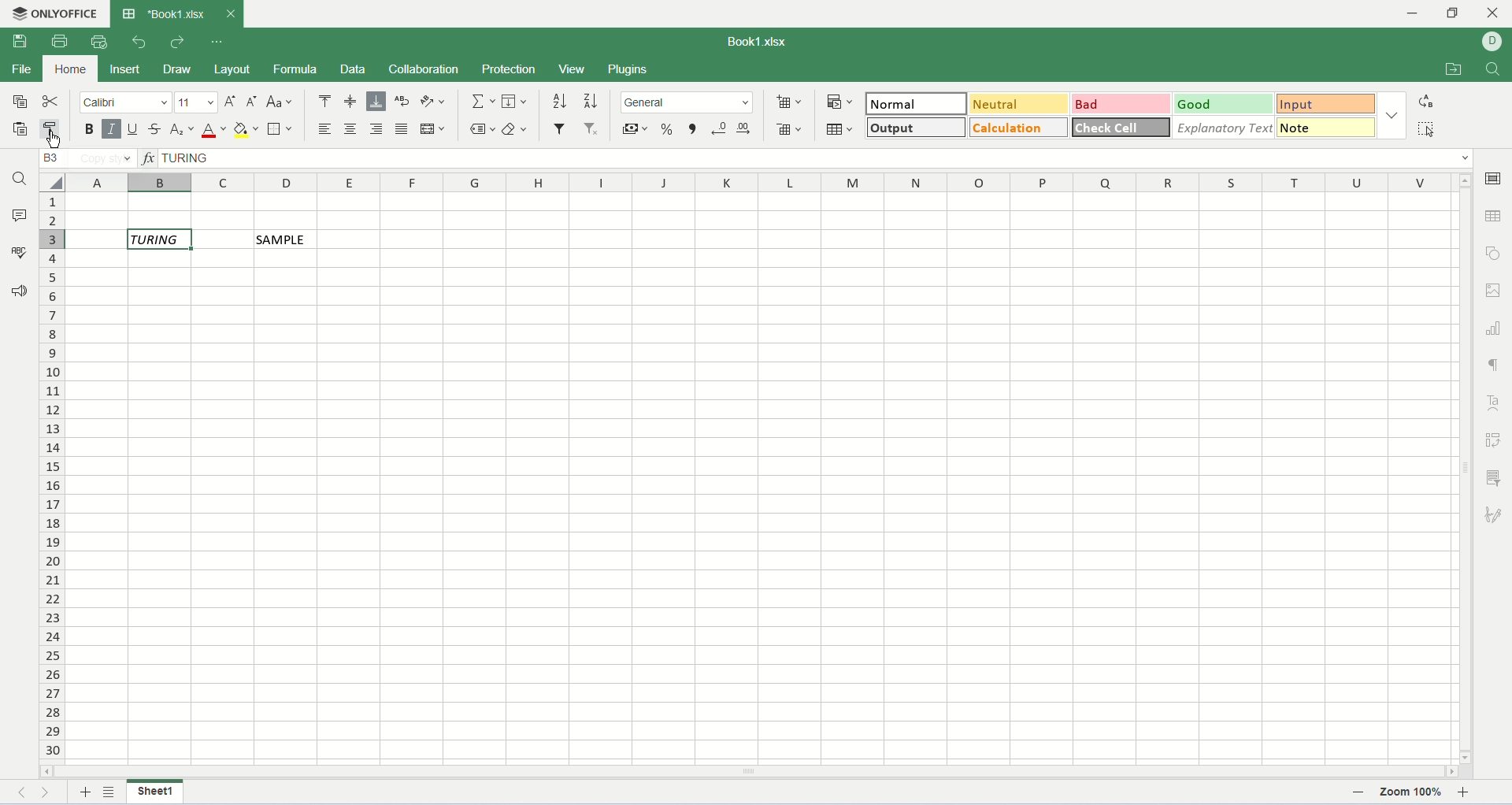 This screenshot has height=805, width=1512. What do you see at coordinates (593, 129) in the screenshot?
I see `remove` at bounding box center [593, 129].